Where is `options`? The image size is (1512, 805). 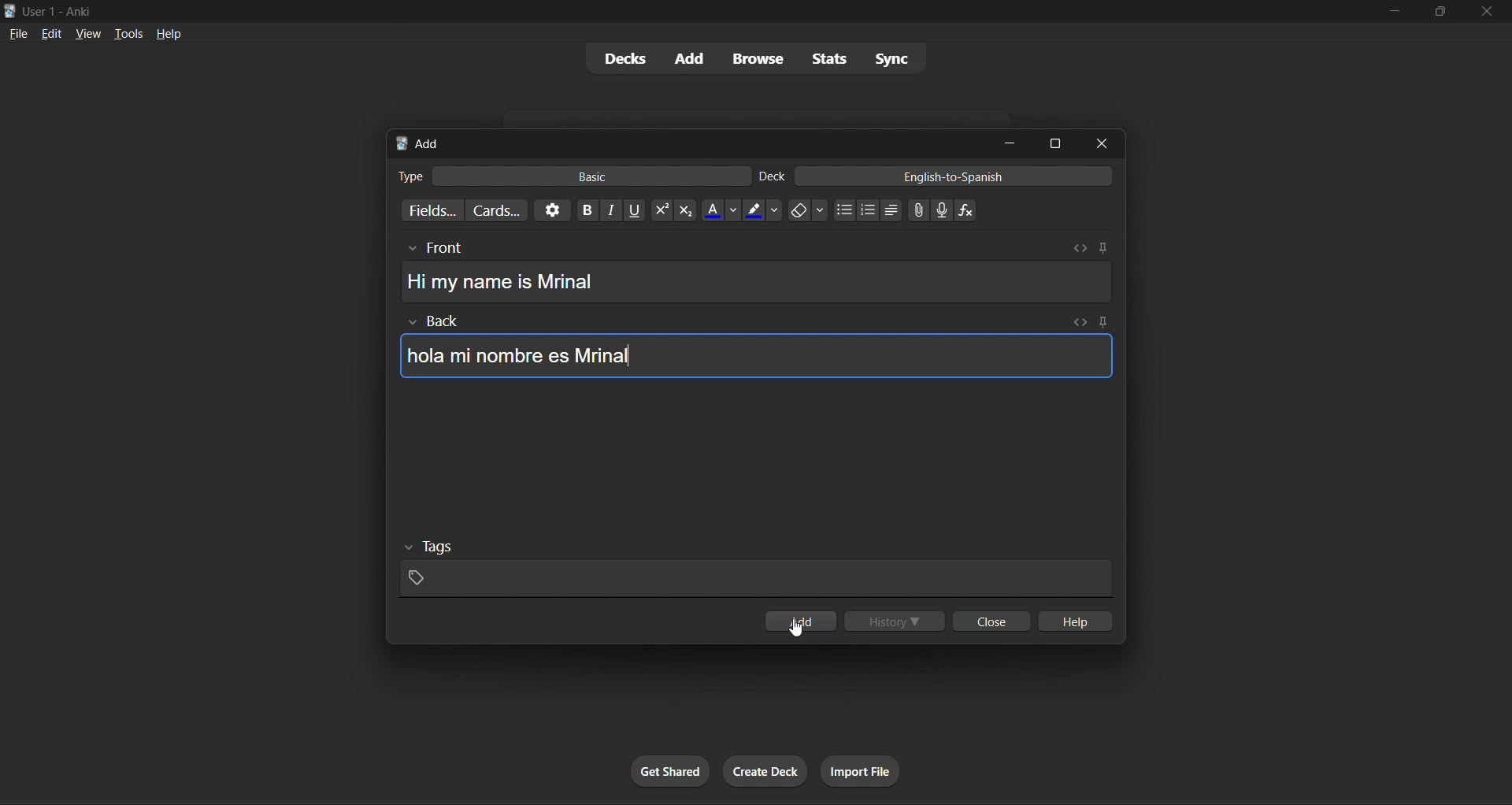 options is located at coordinates (548, 212).